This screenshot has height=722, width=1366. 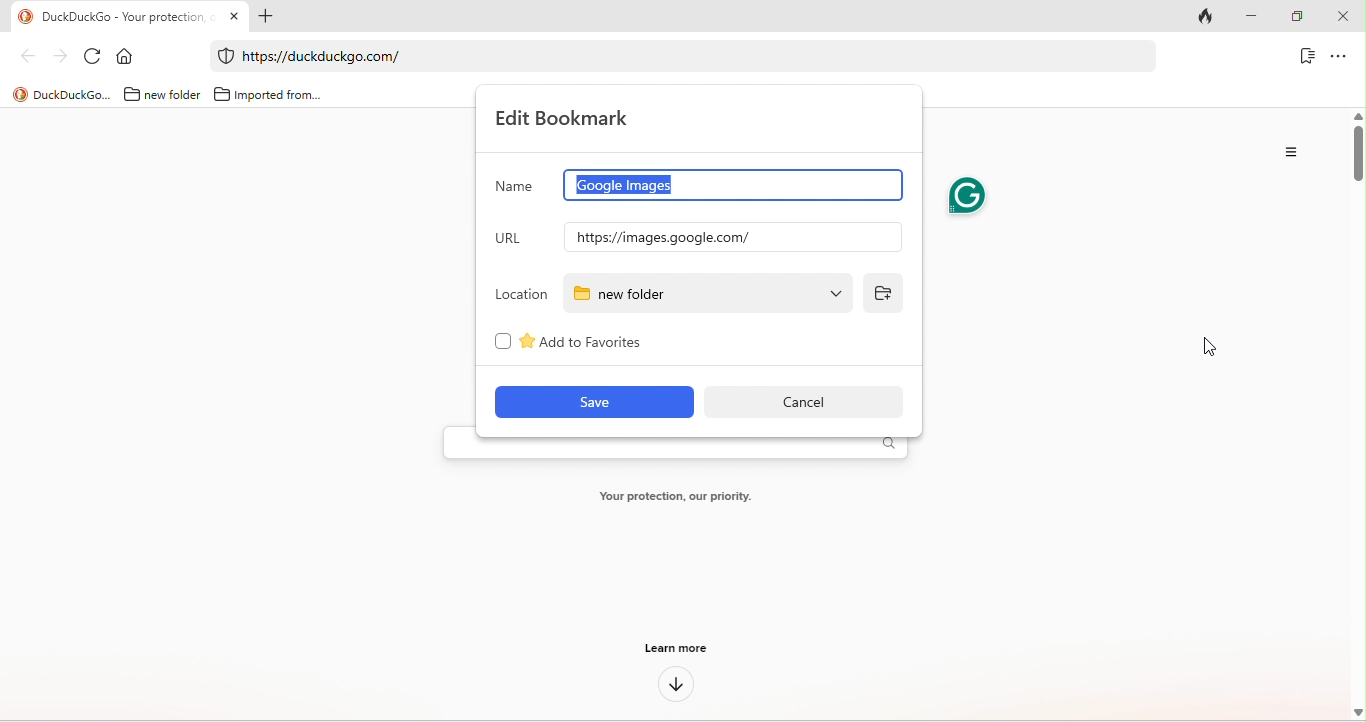 What do you see at coordinates (22, 59) in the screenshot?
I see `back` at bounding box center [22, 59].